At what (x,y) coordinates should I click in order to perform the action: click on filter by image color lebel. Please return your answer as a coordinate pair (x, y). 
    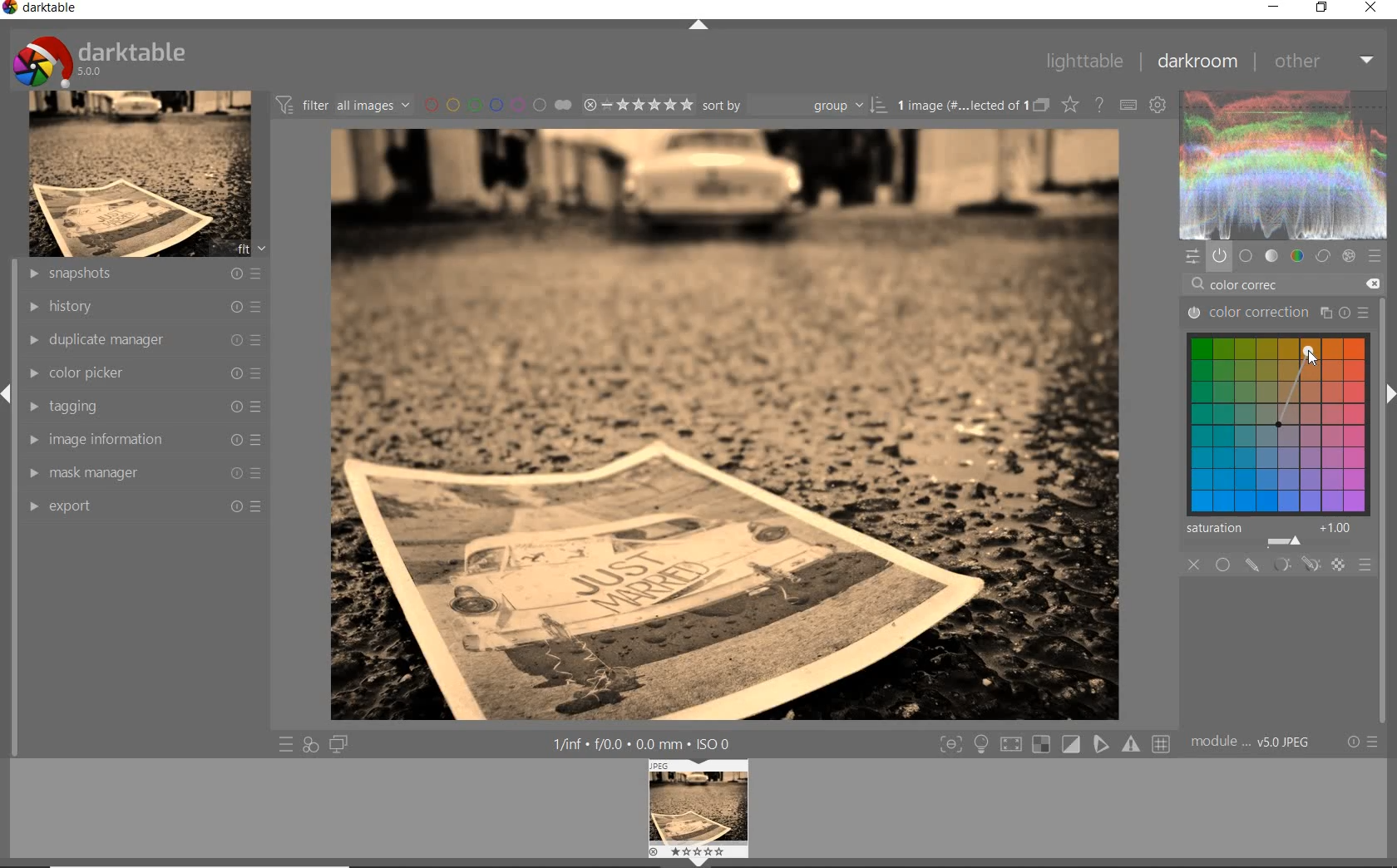
    Looking at the image, I should click on (496, 103).